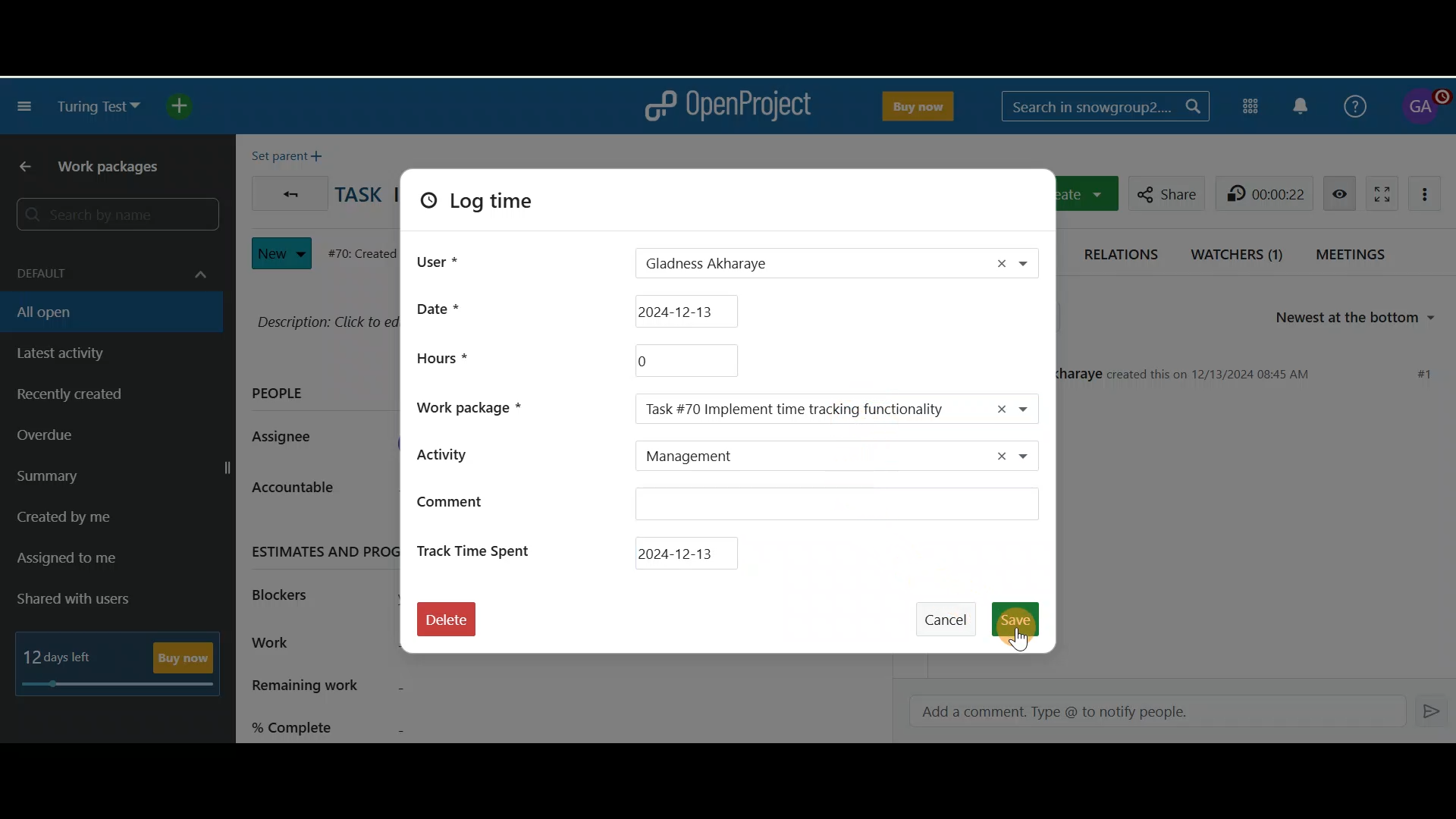  Describe the element at coordinates (472, 453) in the screenshot. I see `Activity` at that location.